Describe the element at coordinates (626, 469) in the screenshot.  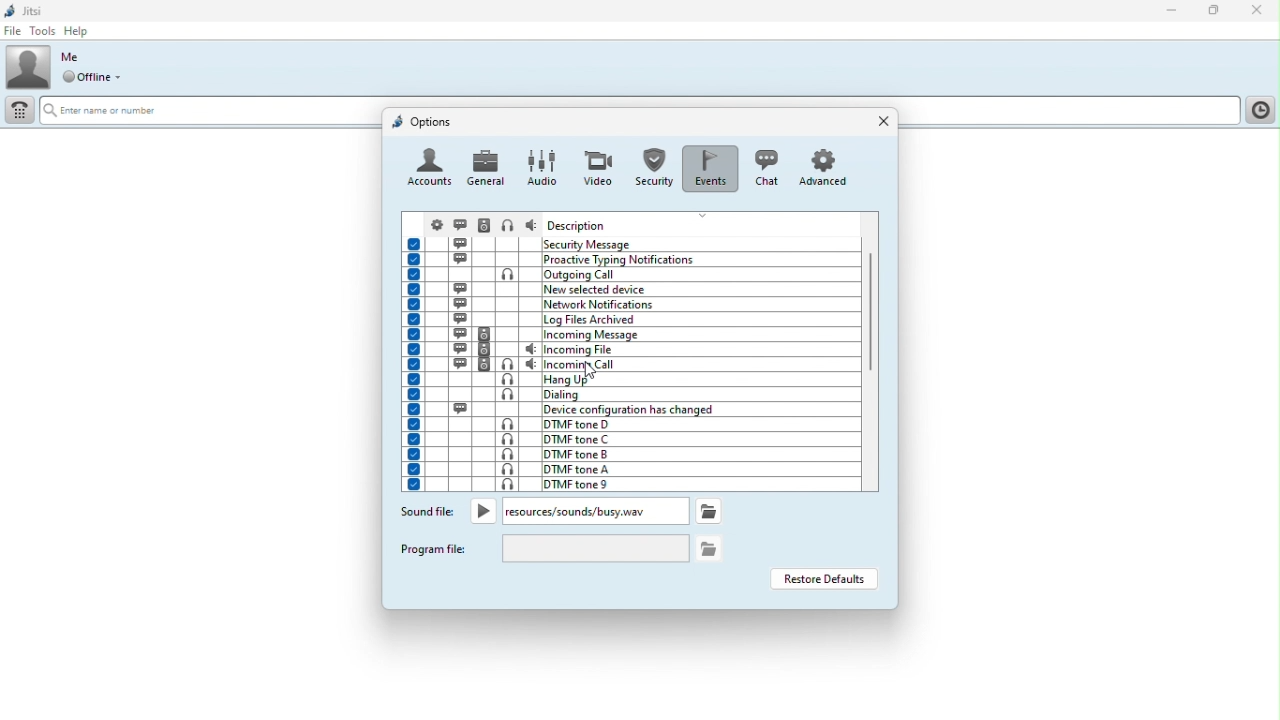
I see `DTMF tone A` at that location.